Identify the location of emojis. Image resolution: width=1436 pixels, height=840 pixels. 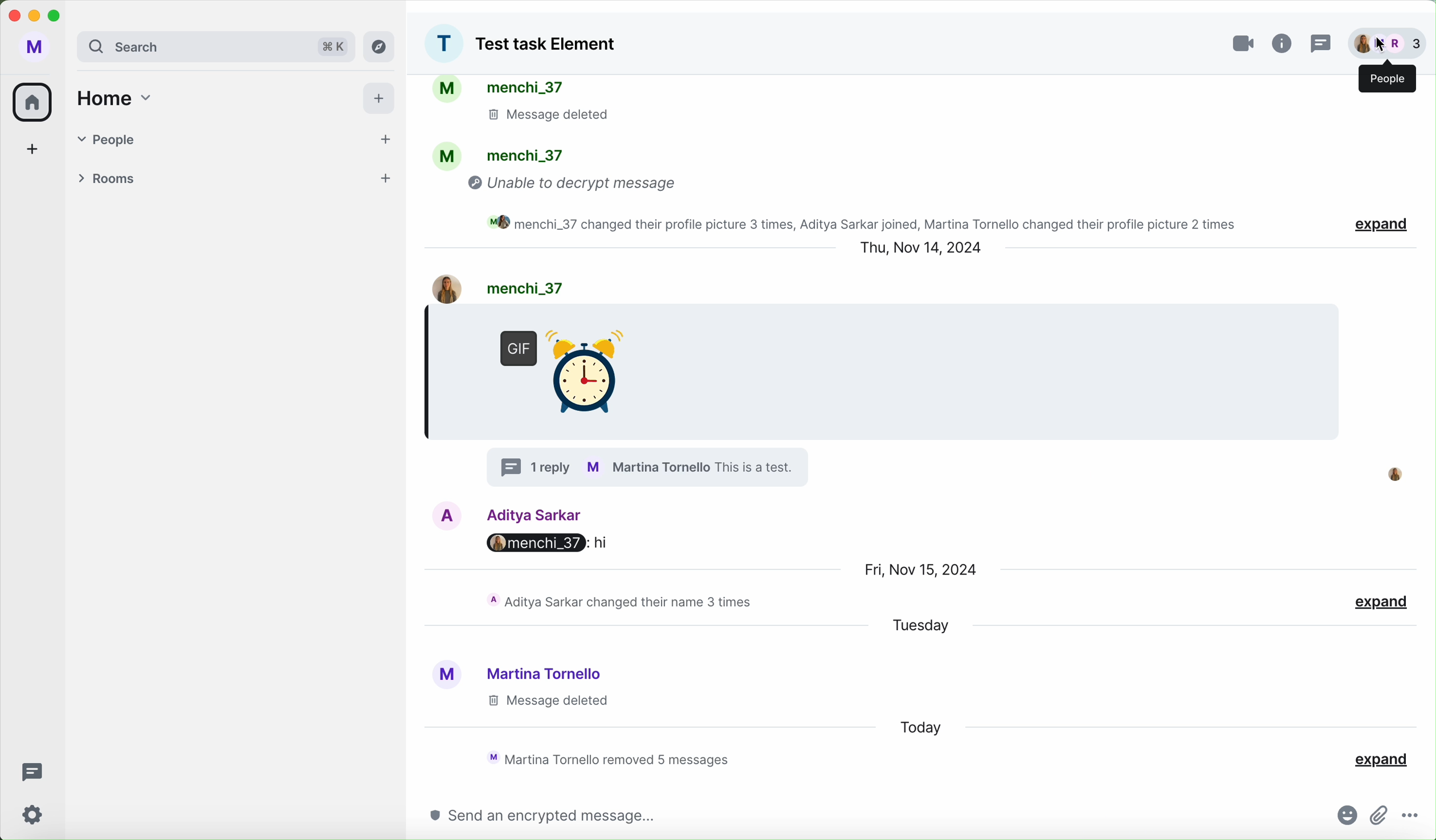
(1346, 816).